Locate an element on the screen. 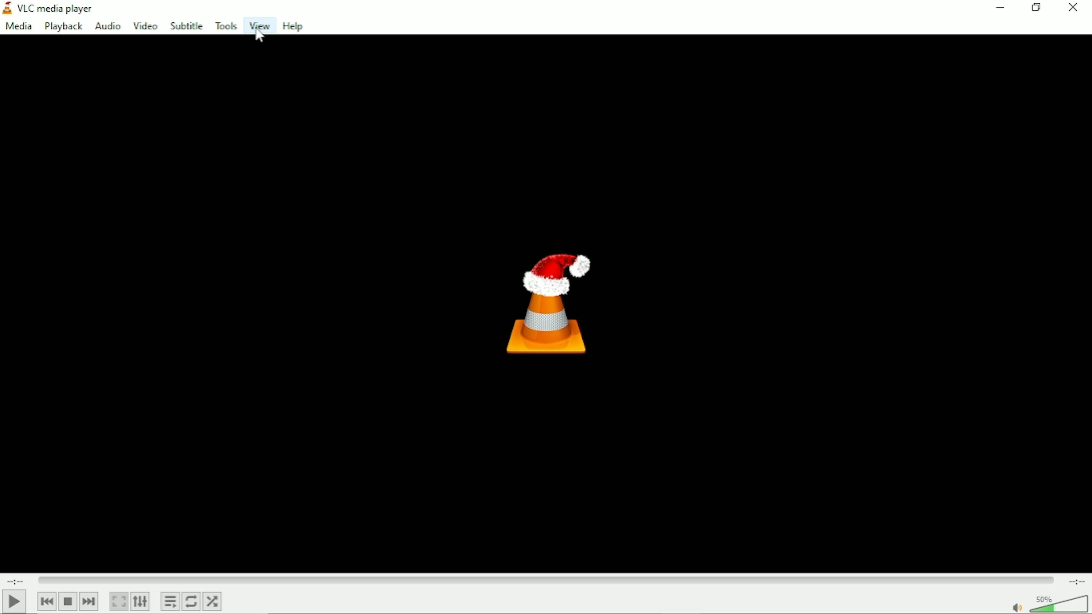 Image resolution: width=1092 pixels, height=614 pixels. Toggle video in fullscreen is located at coordinates (118, 601).